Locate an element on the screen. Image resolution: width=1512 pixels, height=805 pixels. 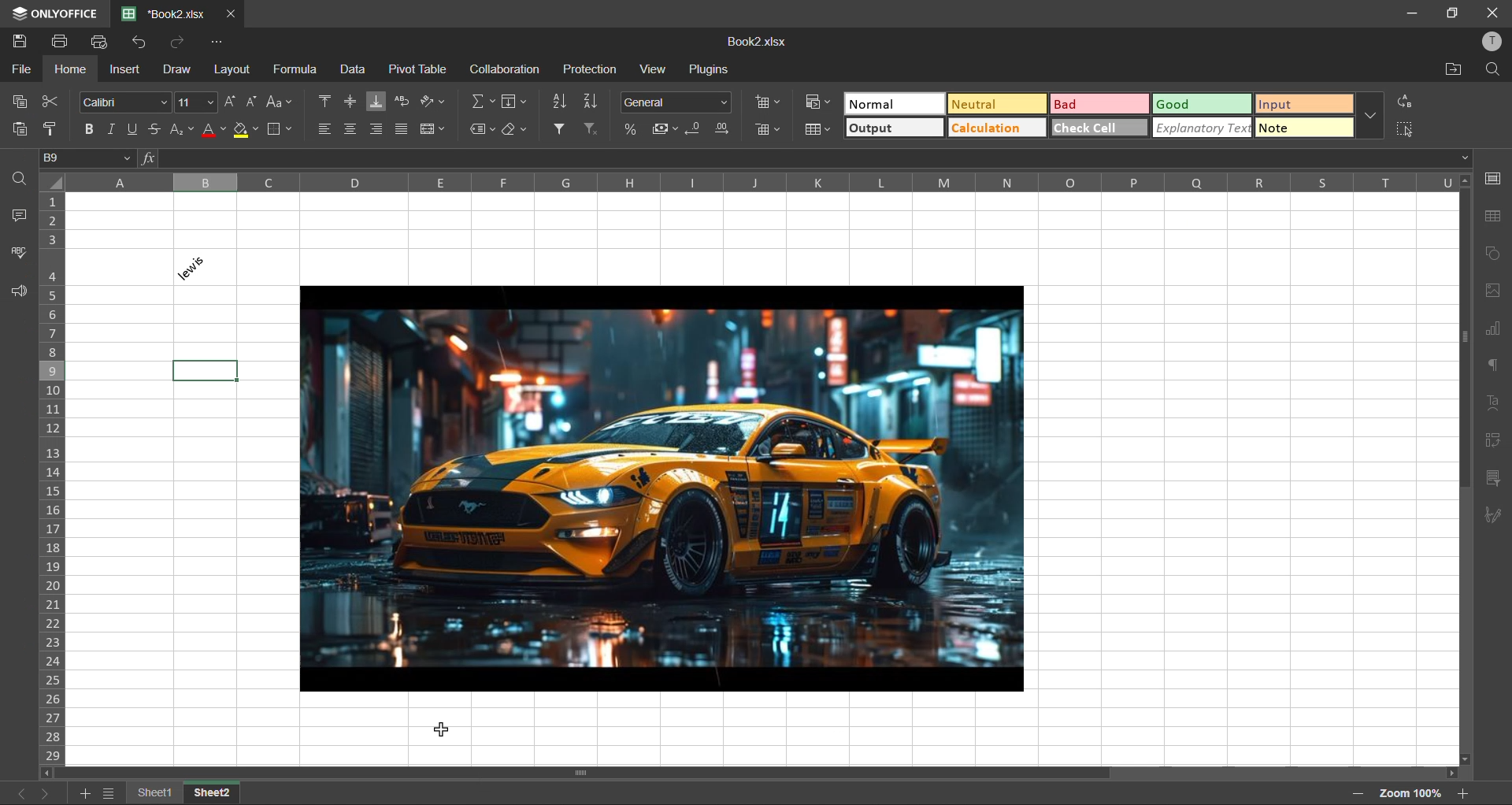
clear filter is located at coordinates (591, 130).